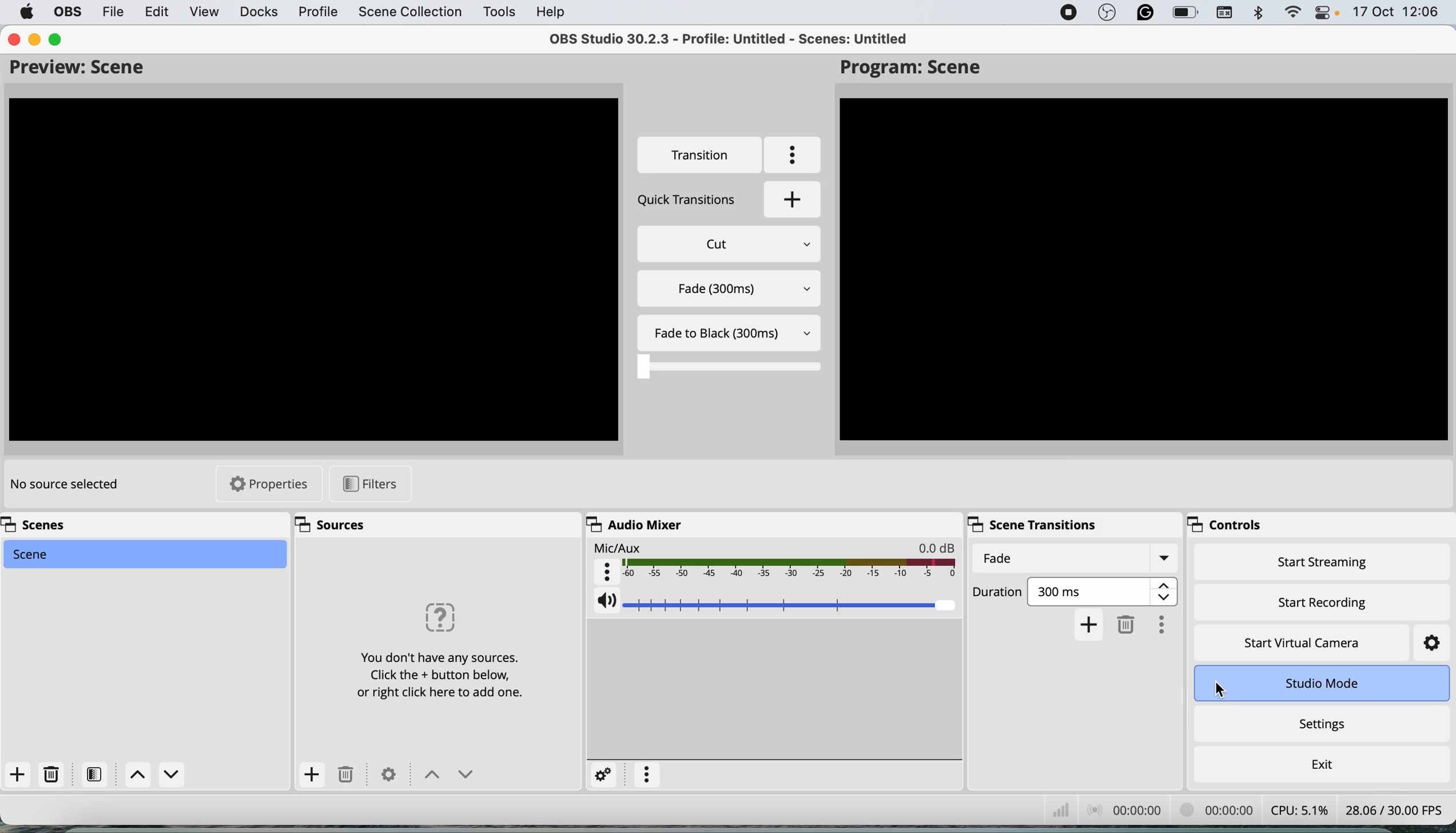 The image size is (1456, 833). Describe the element at coordinates (72, 489) in the screenshot. I see `no source selected` at that location.